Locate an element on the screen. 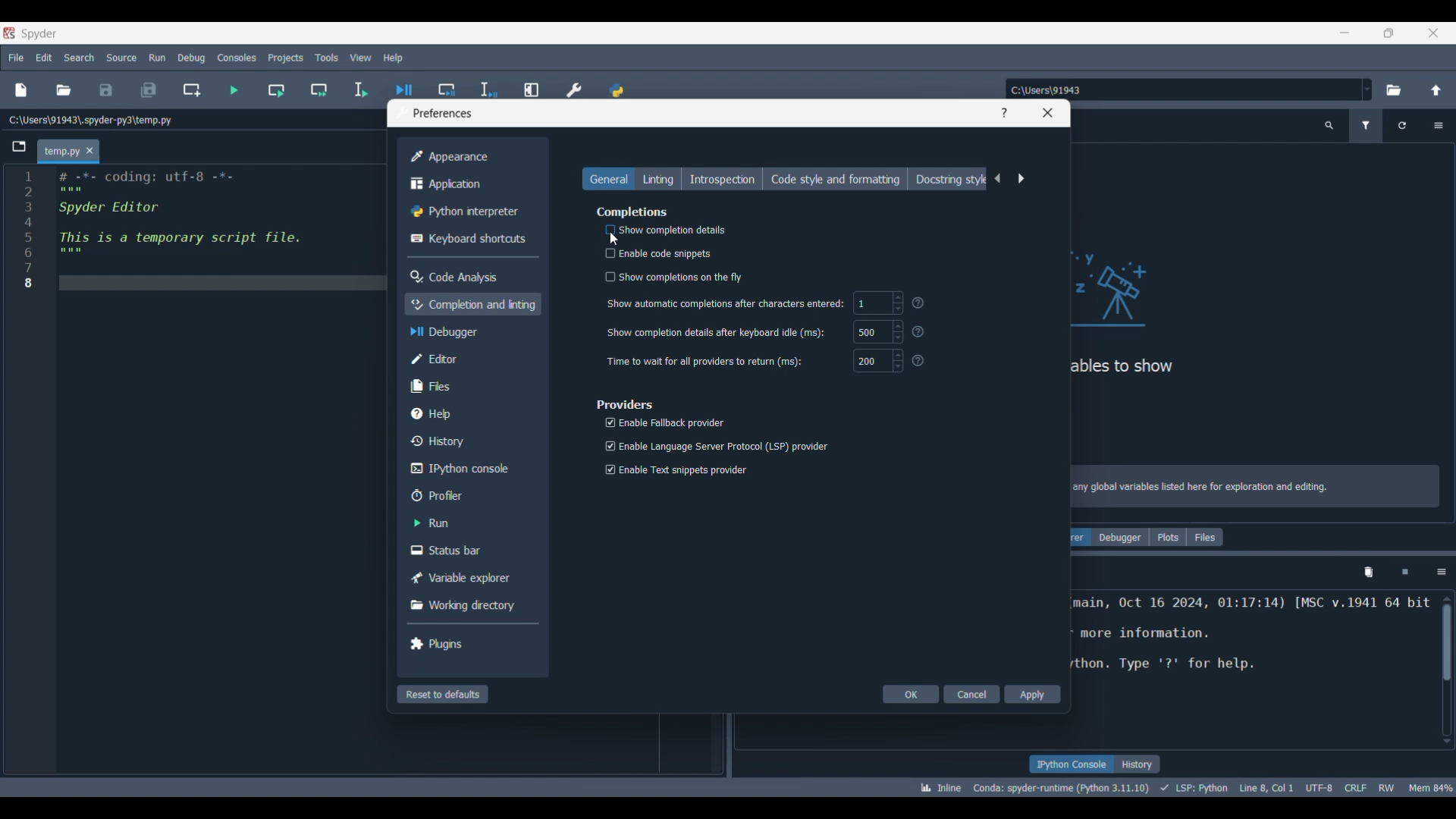 This screenshot has height=819, width=1456. OK is located at coordinates (911, 694).